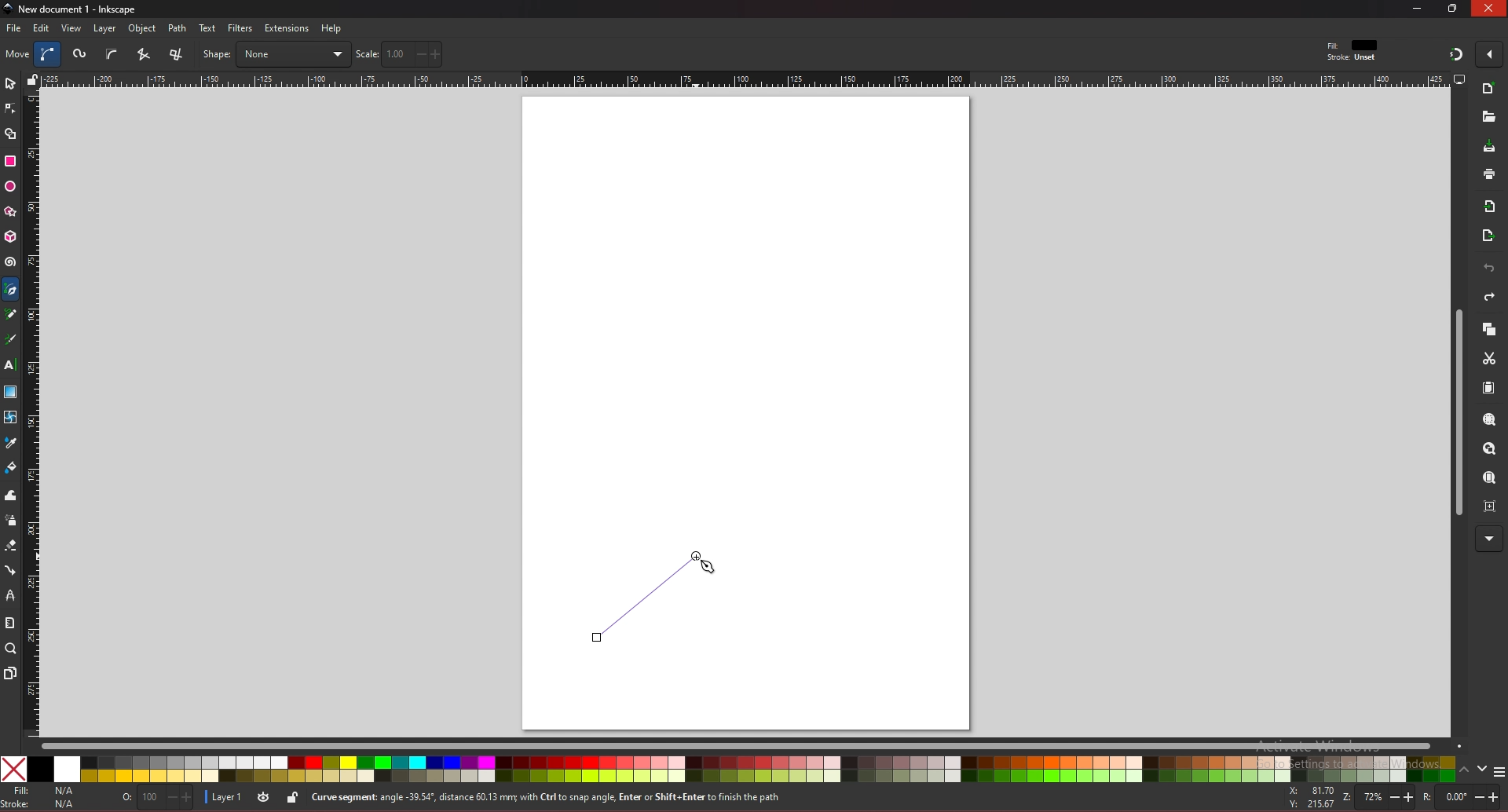  What do you see at coordinates (225, 796) in the screenshot?
I see `layer` at bounding box center [225, 796].